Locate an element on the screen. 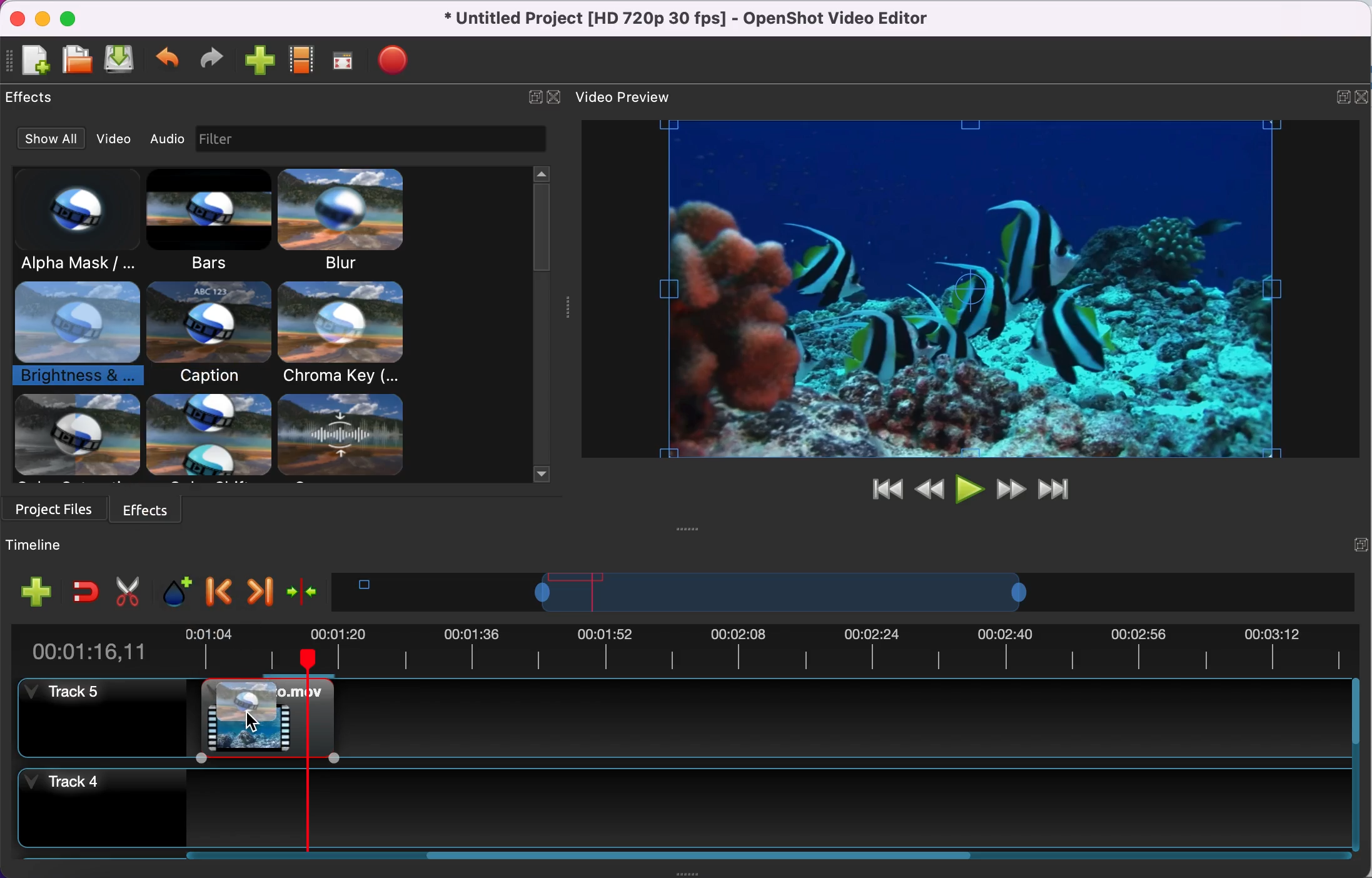 This screenshot has height=878, width=1372. open file is located at coordinates (76, 58).